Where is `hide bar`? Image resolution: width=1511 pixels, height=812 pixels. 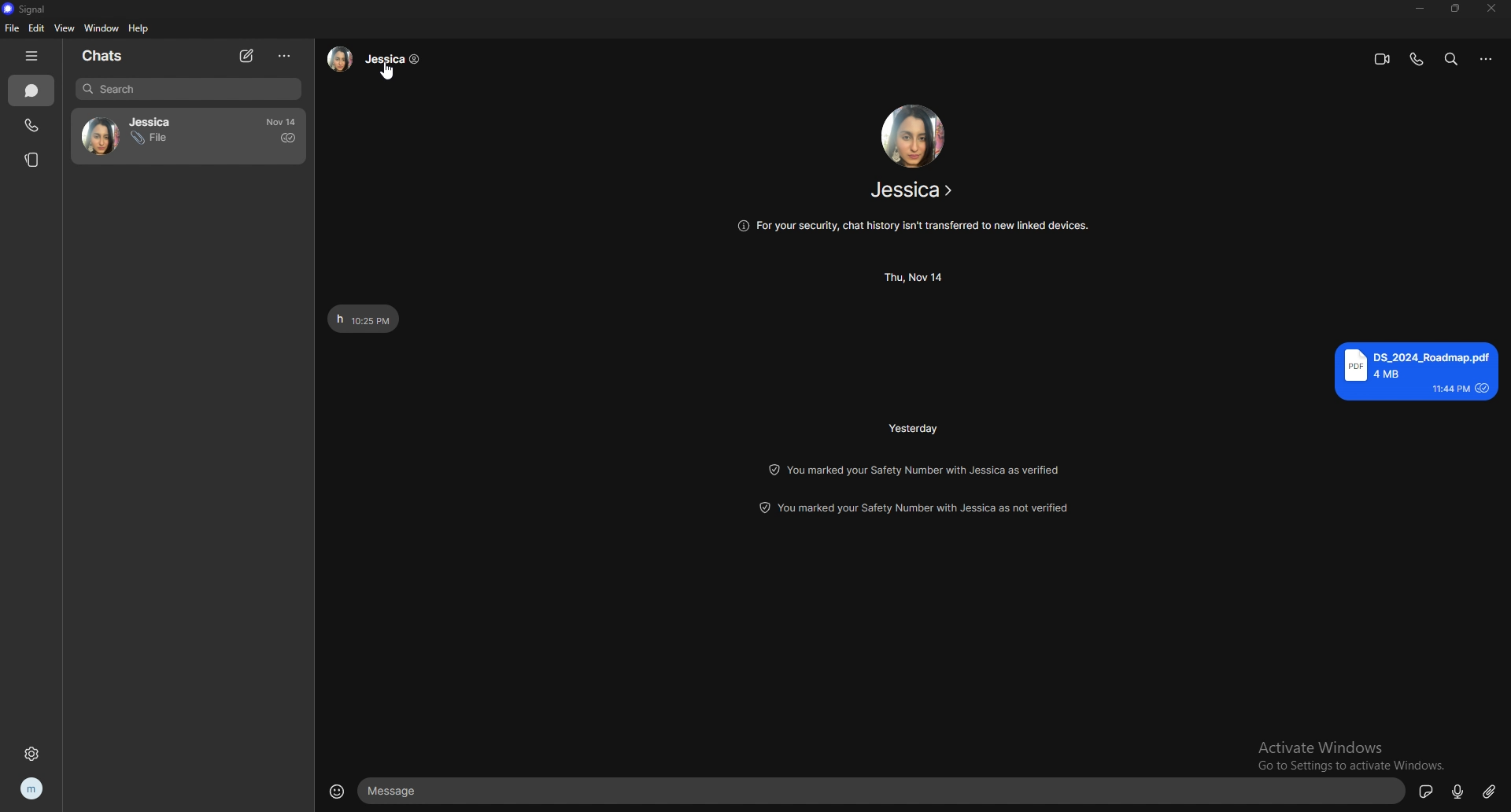
hide bar is located at coordinates (35, 55).